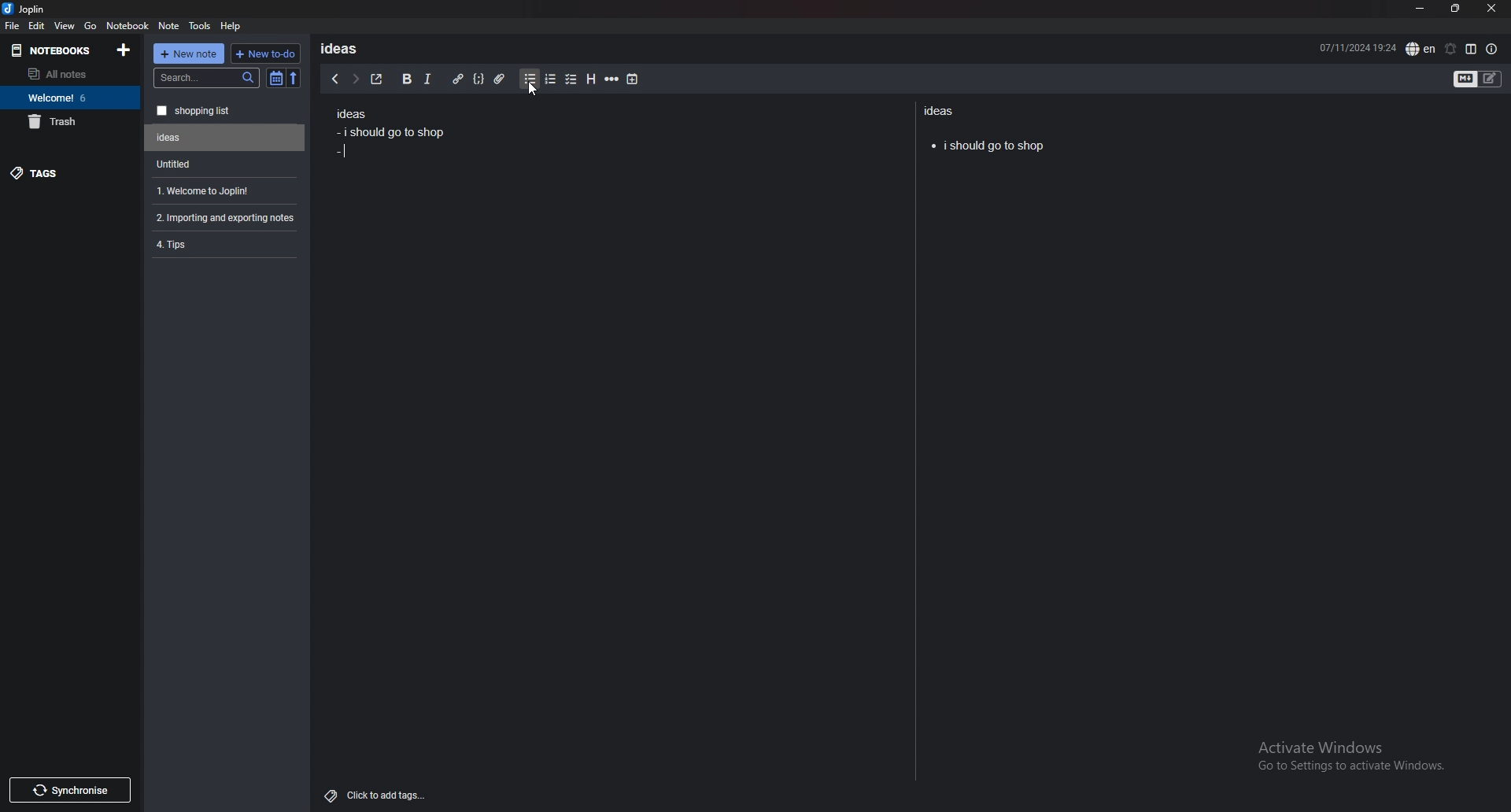 The image size is (1511, 812). What do you see at coordinates (65, 25) in the screenshot?
I see `view` at bounding box center [65, 25].